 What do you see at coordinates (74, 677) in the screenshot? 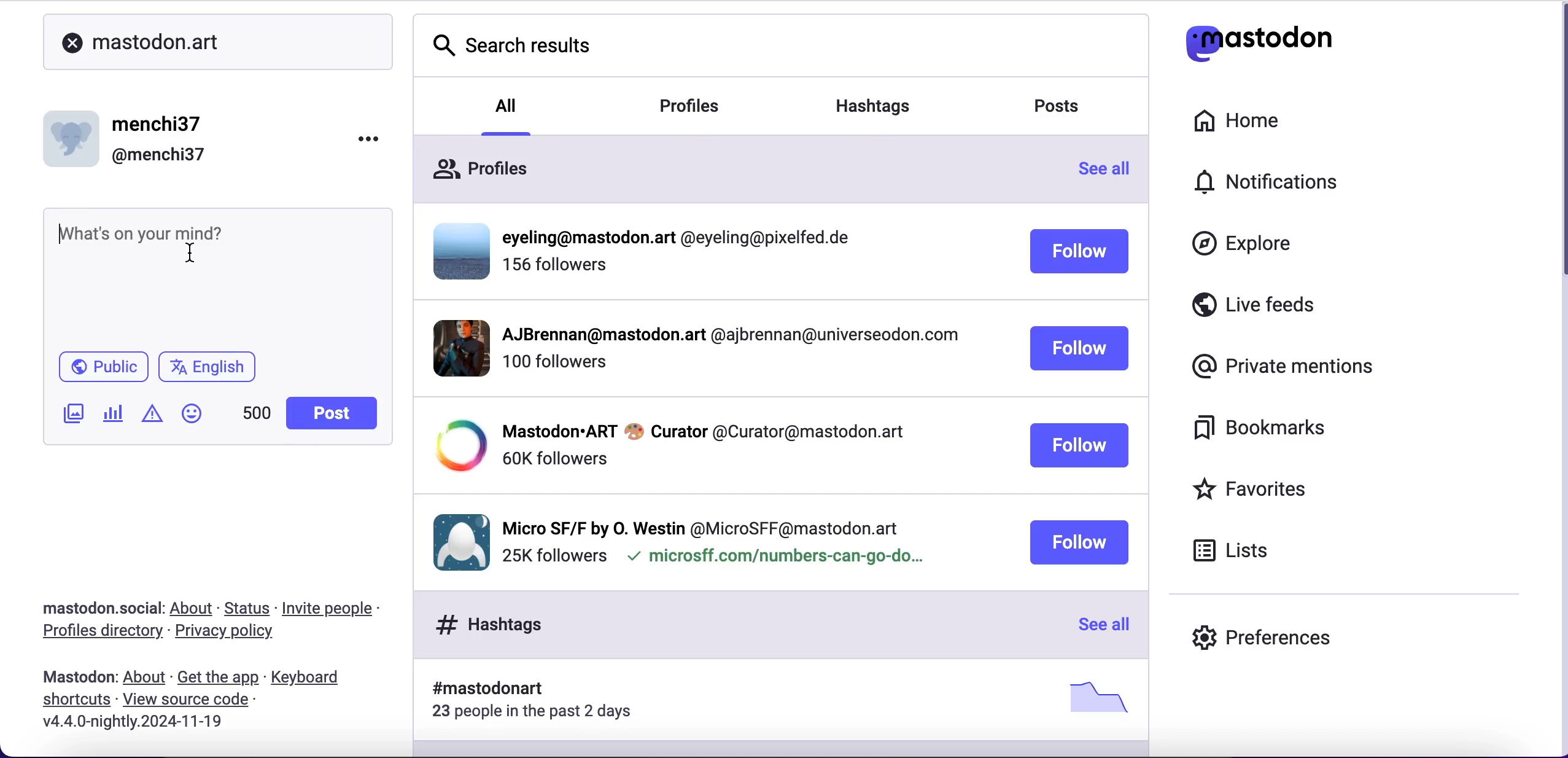
I see `mastodon` at bounding box center [74, 677].